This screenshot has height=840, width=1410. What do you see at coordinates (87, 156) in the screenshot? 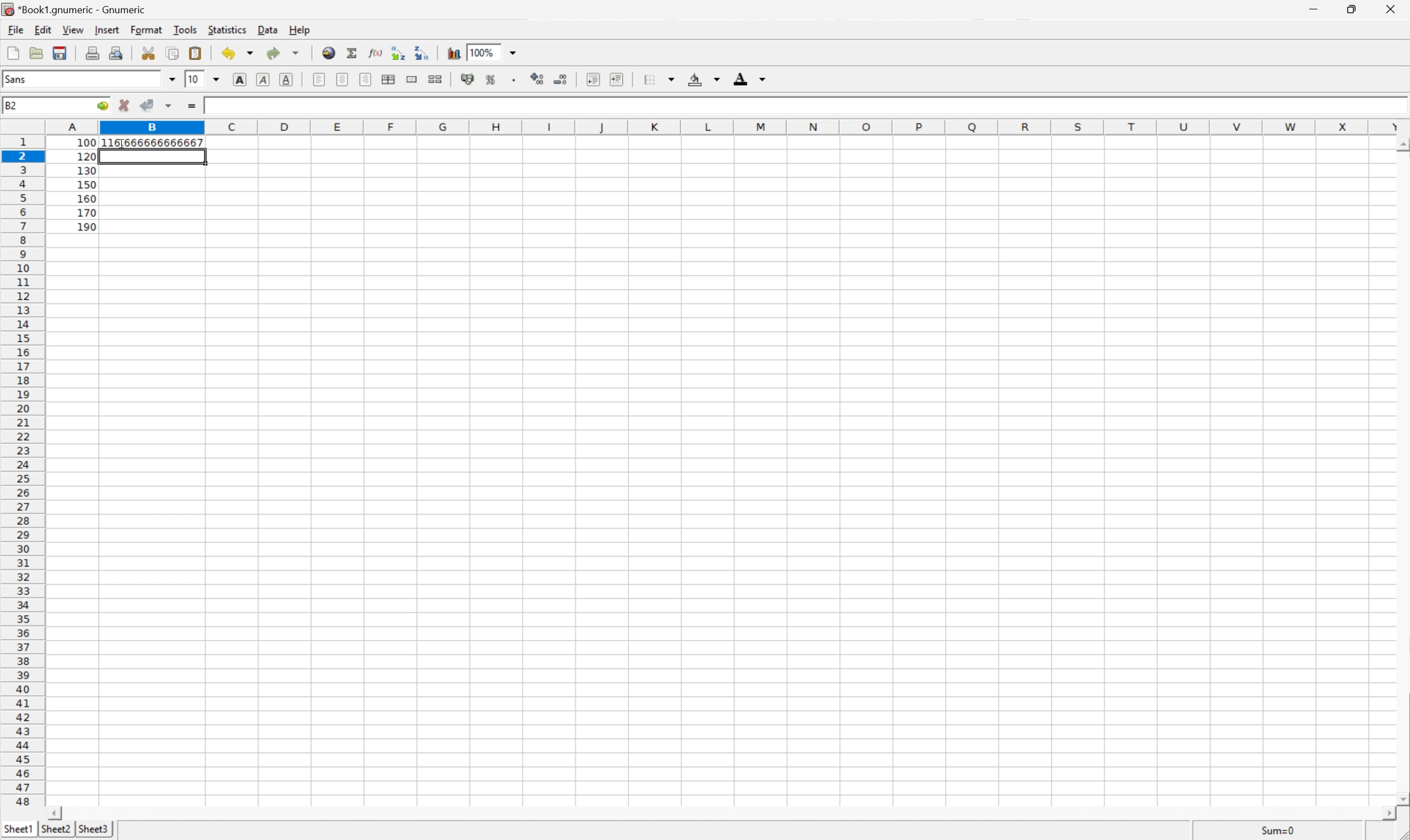
I see `120` at bounding box center [87, 156].